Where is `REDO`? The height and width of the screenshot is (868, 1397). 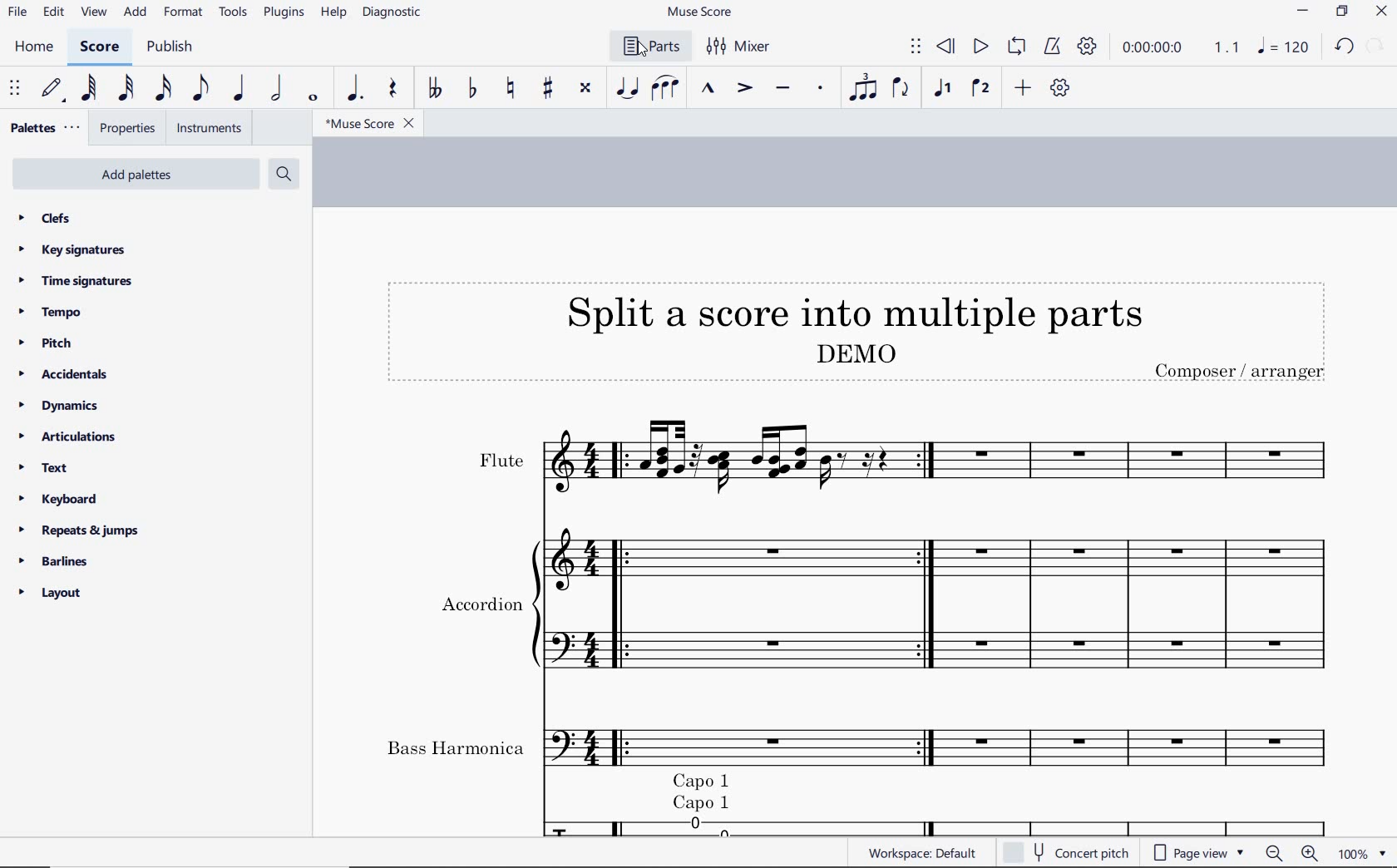 REDO is located at coordinates (1377, 46).